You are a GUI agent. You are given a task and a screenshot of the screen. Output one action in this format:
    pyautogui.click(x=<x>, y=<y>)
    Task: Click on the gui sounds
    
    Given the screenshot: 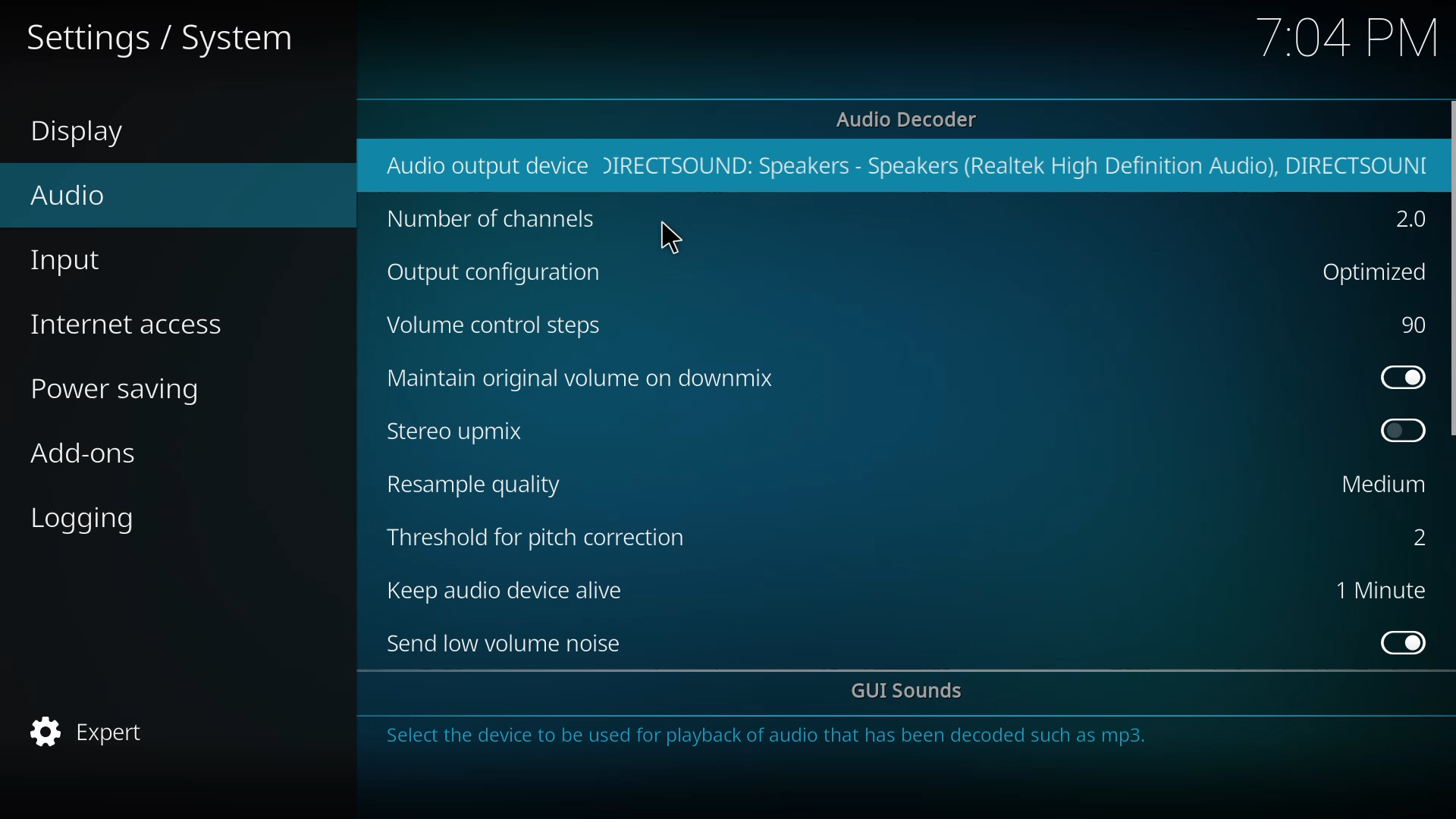 What is the action you would take?
    pyautogui.click(x=910, y=692)
    